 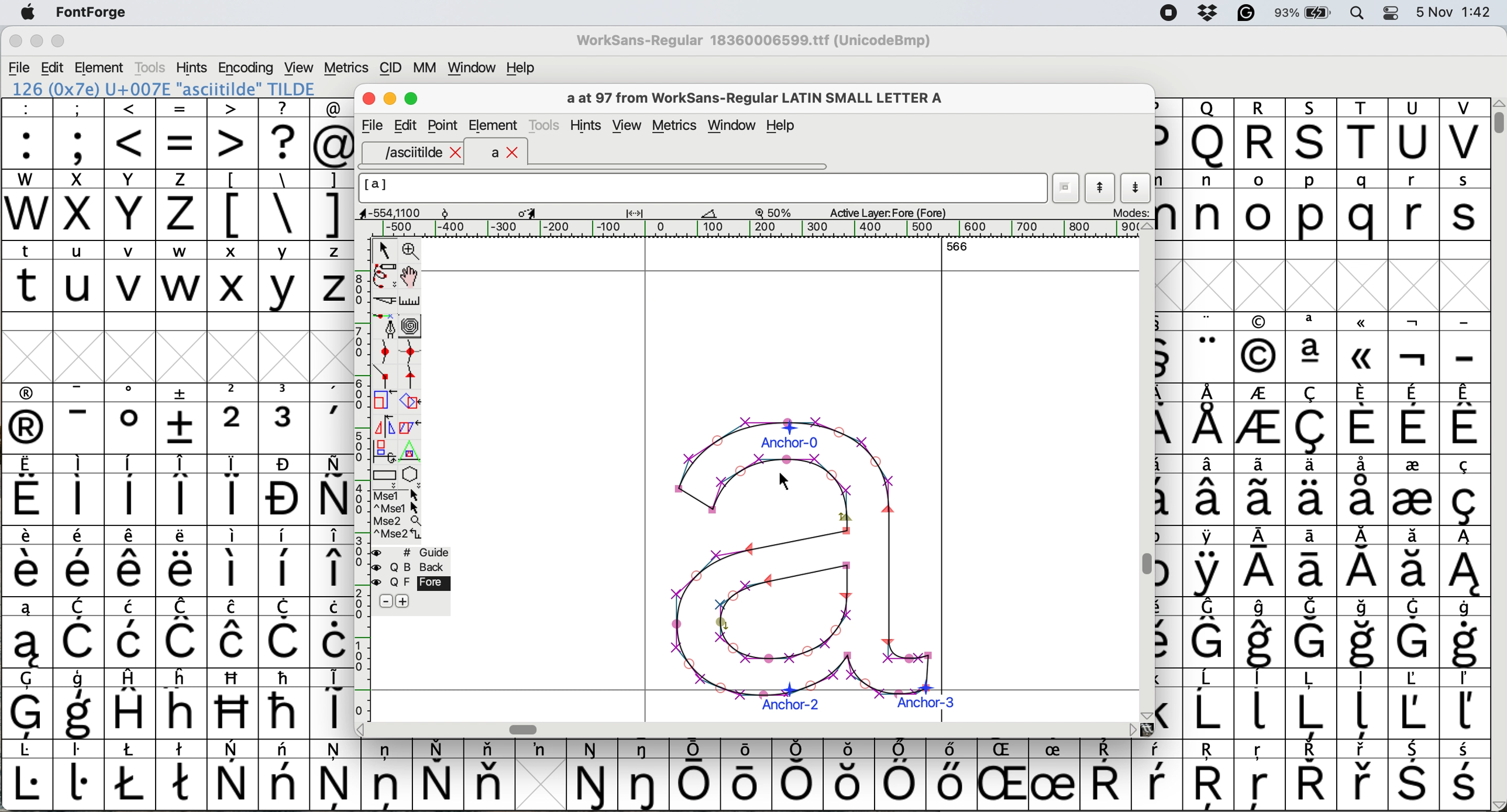 What do you see at coordinates (29, 205) in the screenshot?
I see `W` at bounding box center [29, 205].